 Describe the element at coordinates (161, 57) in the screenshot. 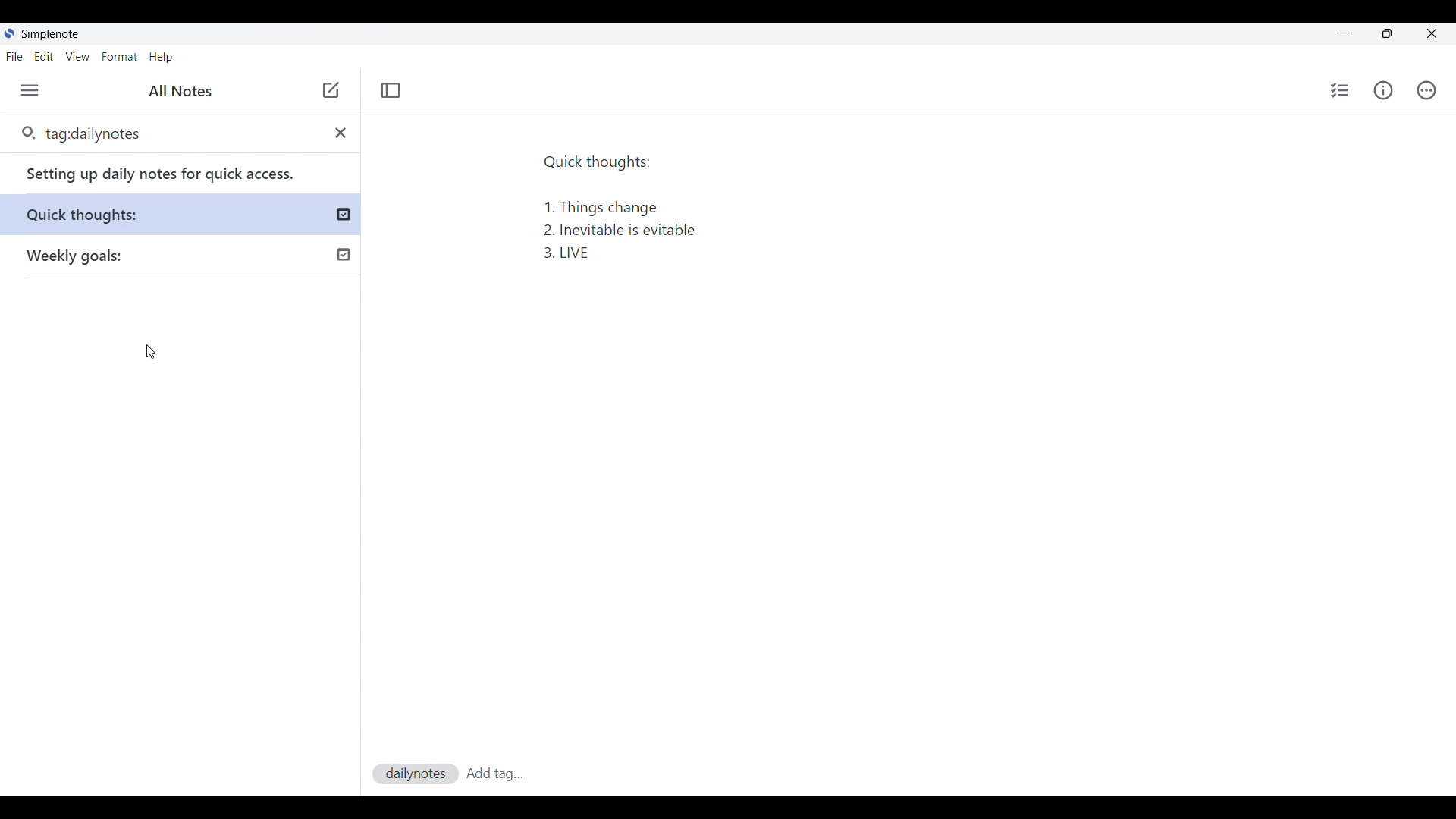

I see `Help menu` at that location.